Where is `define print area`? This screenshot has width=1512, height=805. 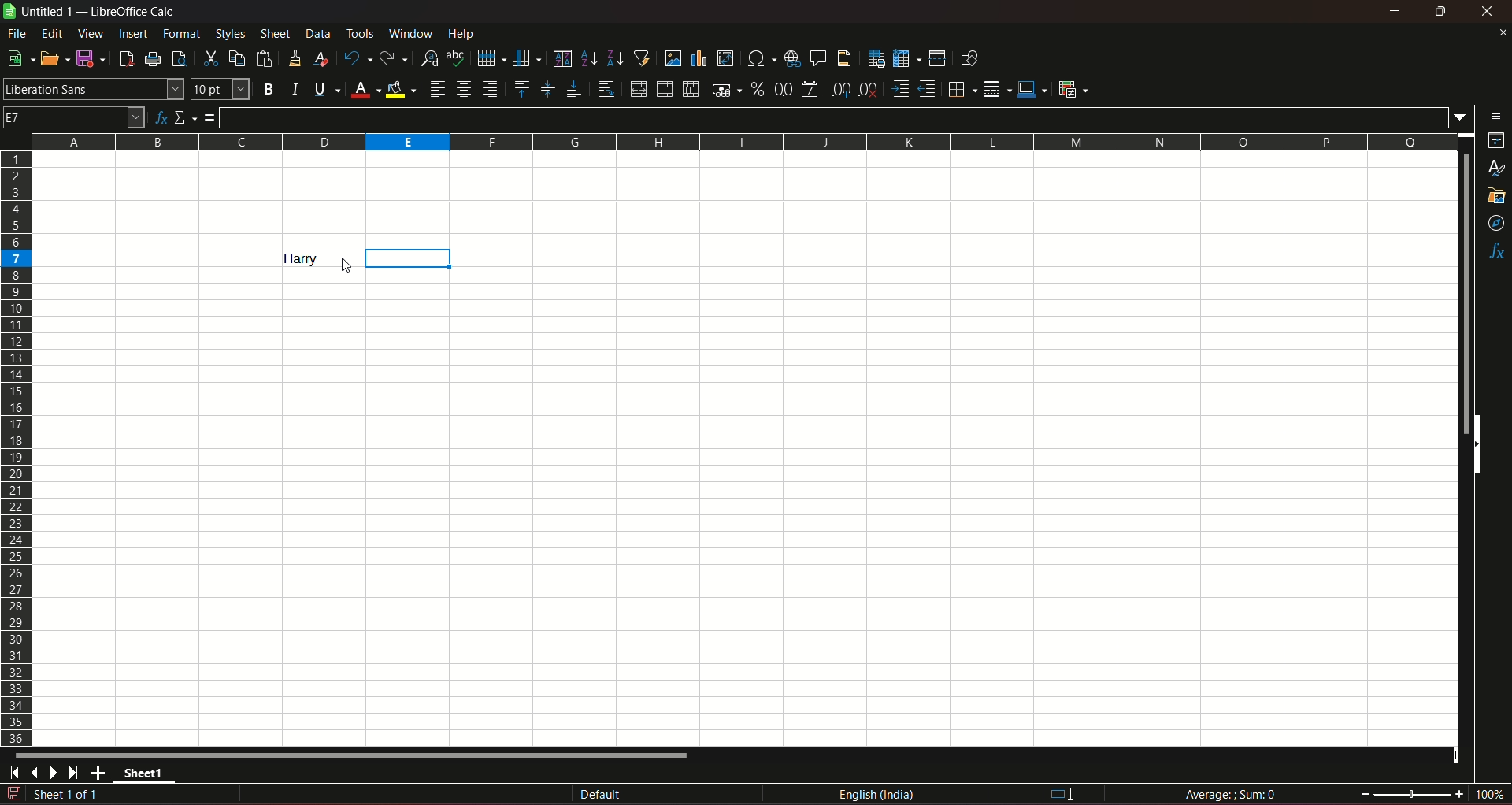
define print area is located at coordinates (876, 59).